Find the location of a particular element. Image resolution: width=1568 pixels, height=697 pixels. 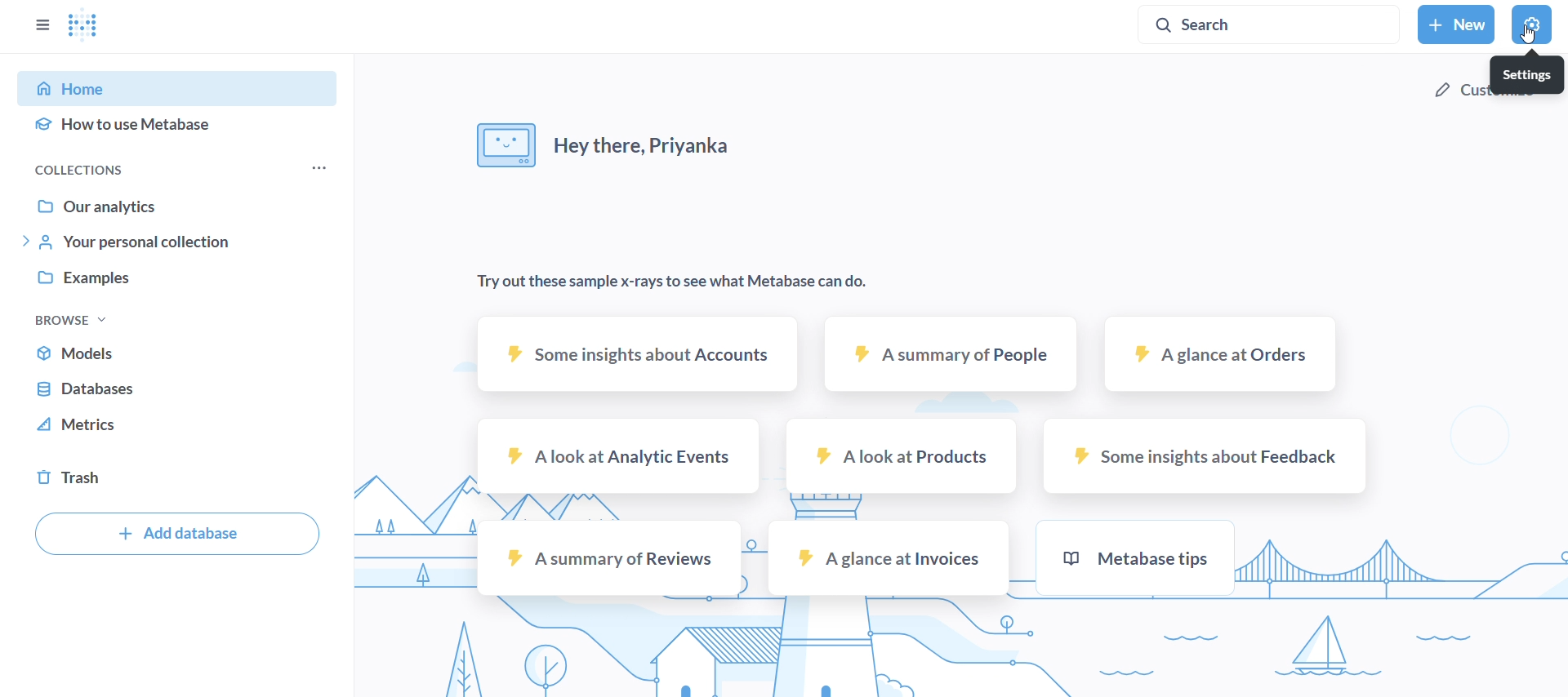

home is located at coordinates (183, 87).